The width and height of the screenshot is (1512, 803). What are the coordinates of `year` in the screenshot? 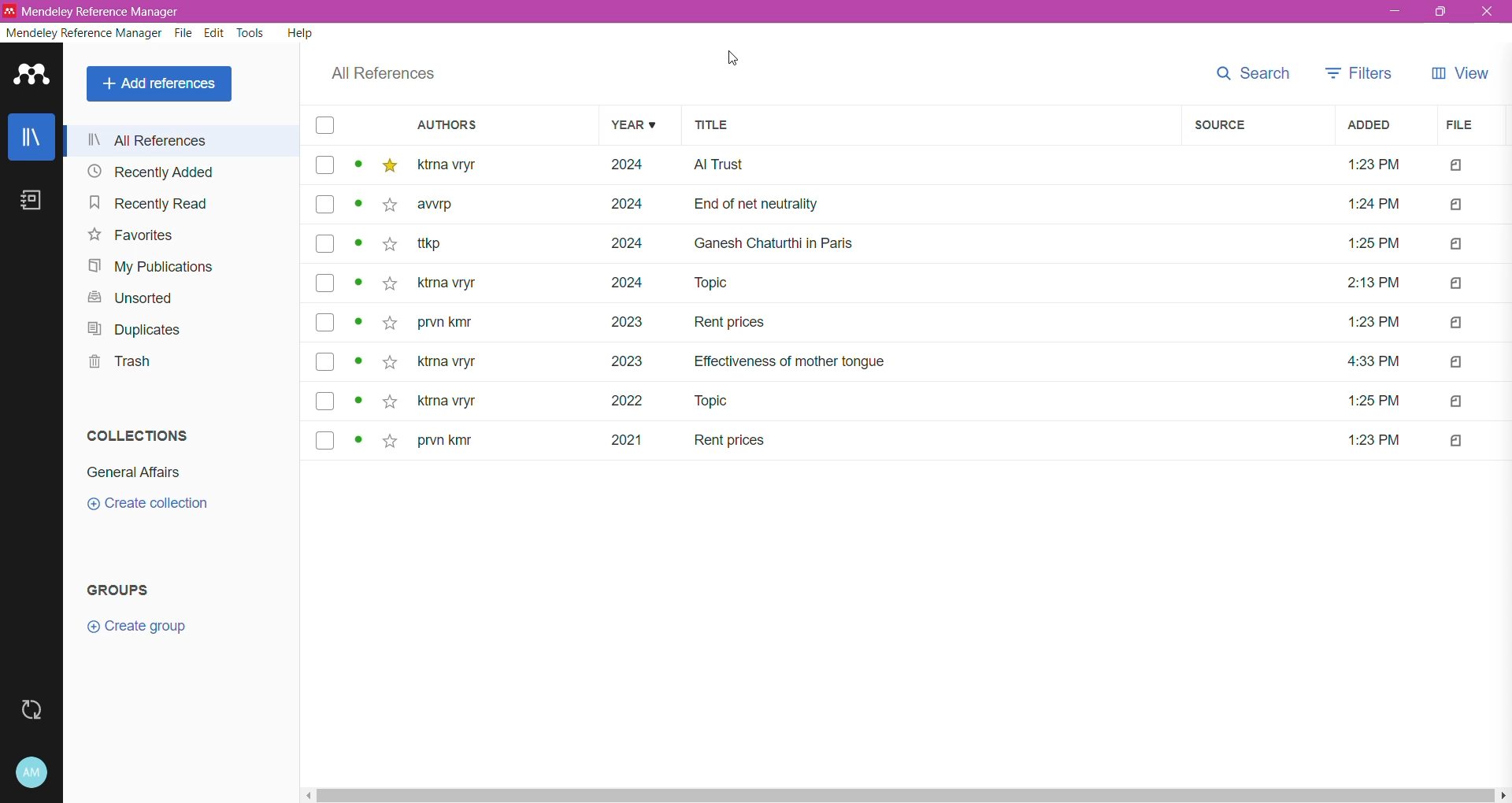 It's located at (632, 124).